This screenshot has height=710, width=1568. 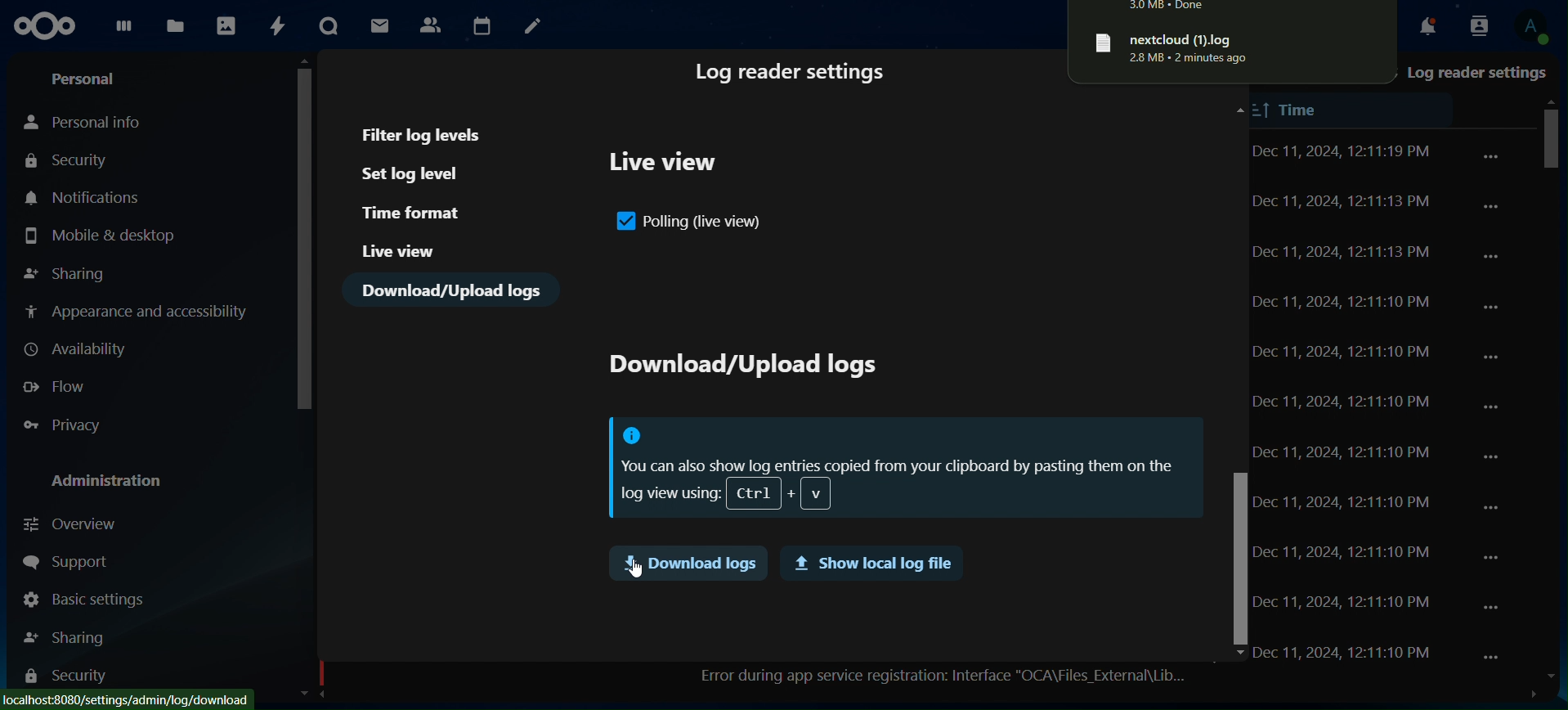 I want to click on polling, so click(x=691, y=223).